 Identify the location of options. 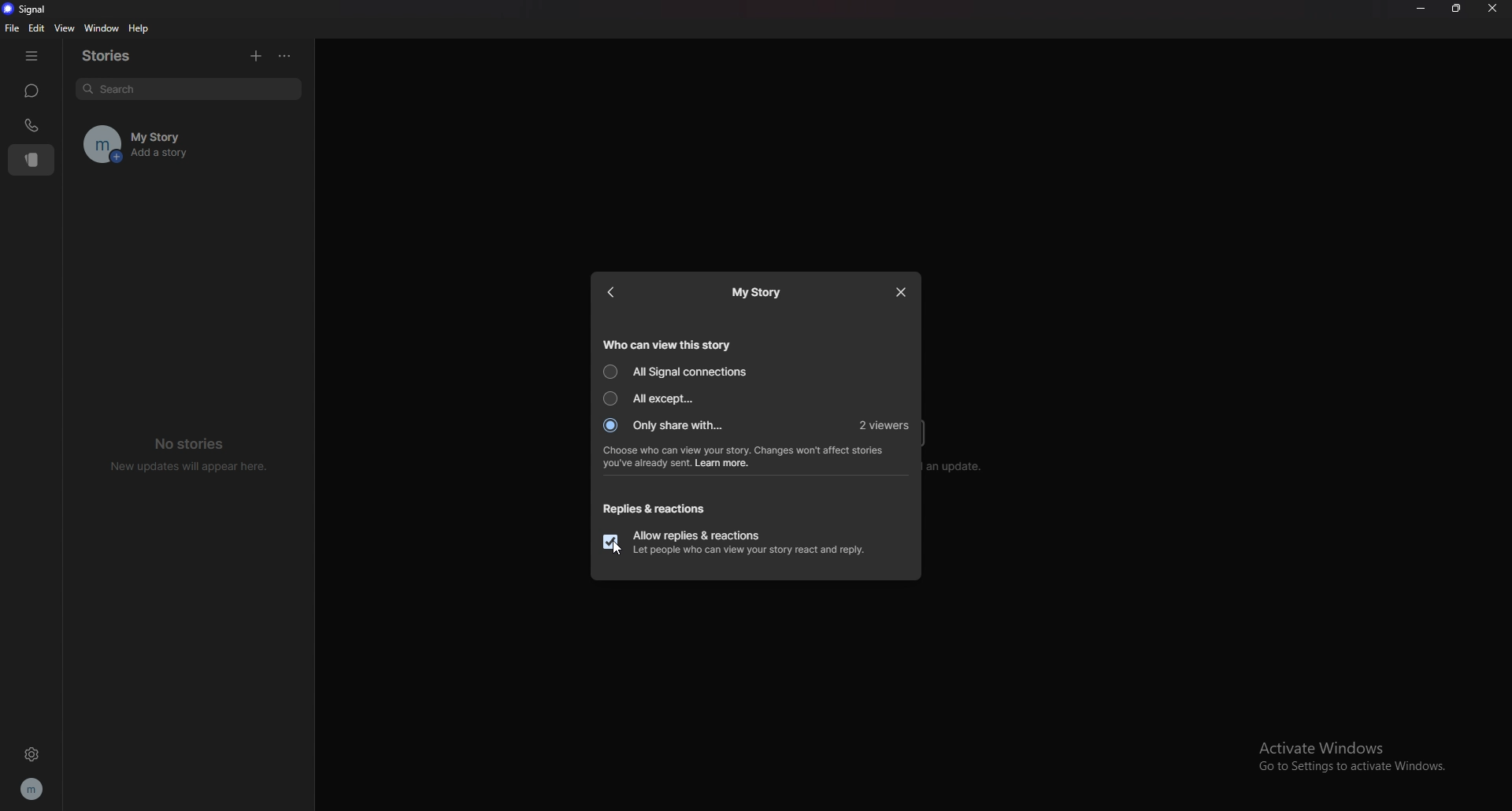
(284, 56).